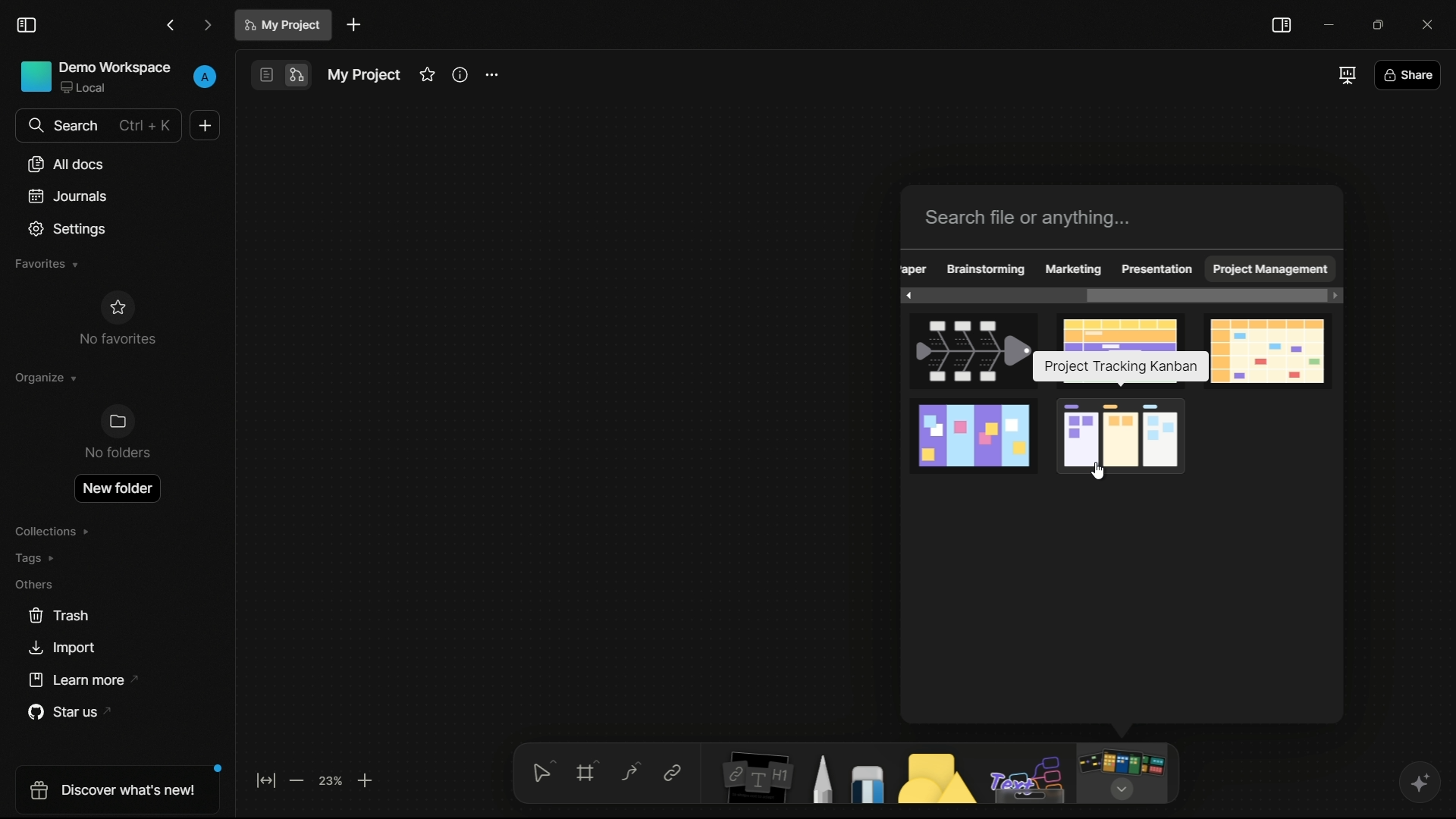 This screenshot has height=819, width=1456. I want to click on profile icon, so click(206, 74).